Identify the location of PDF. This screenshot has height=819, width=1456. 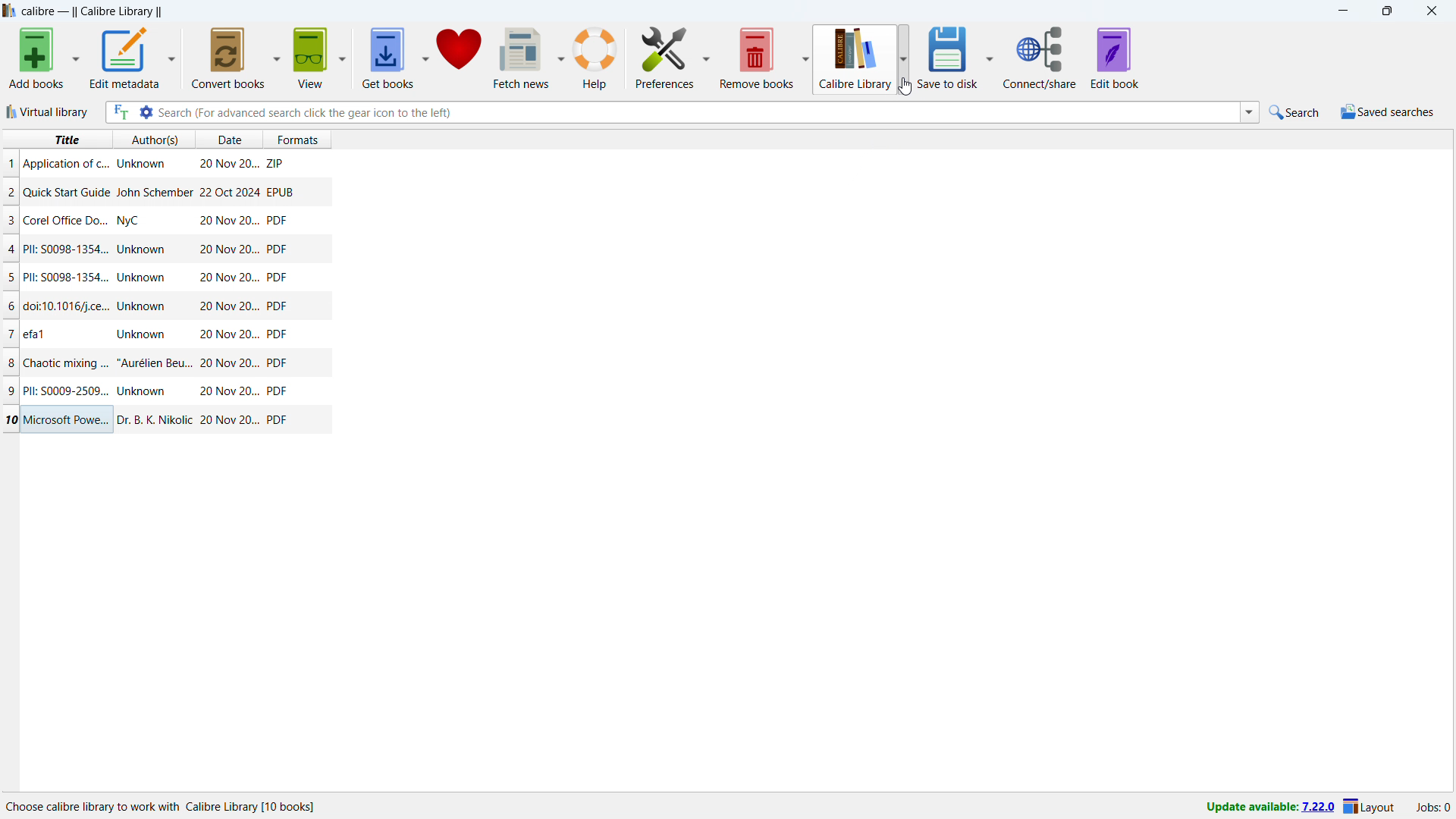
(279, 364).